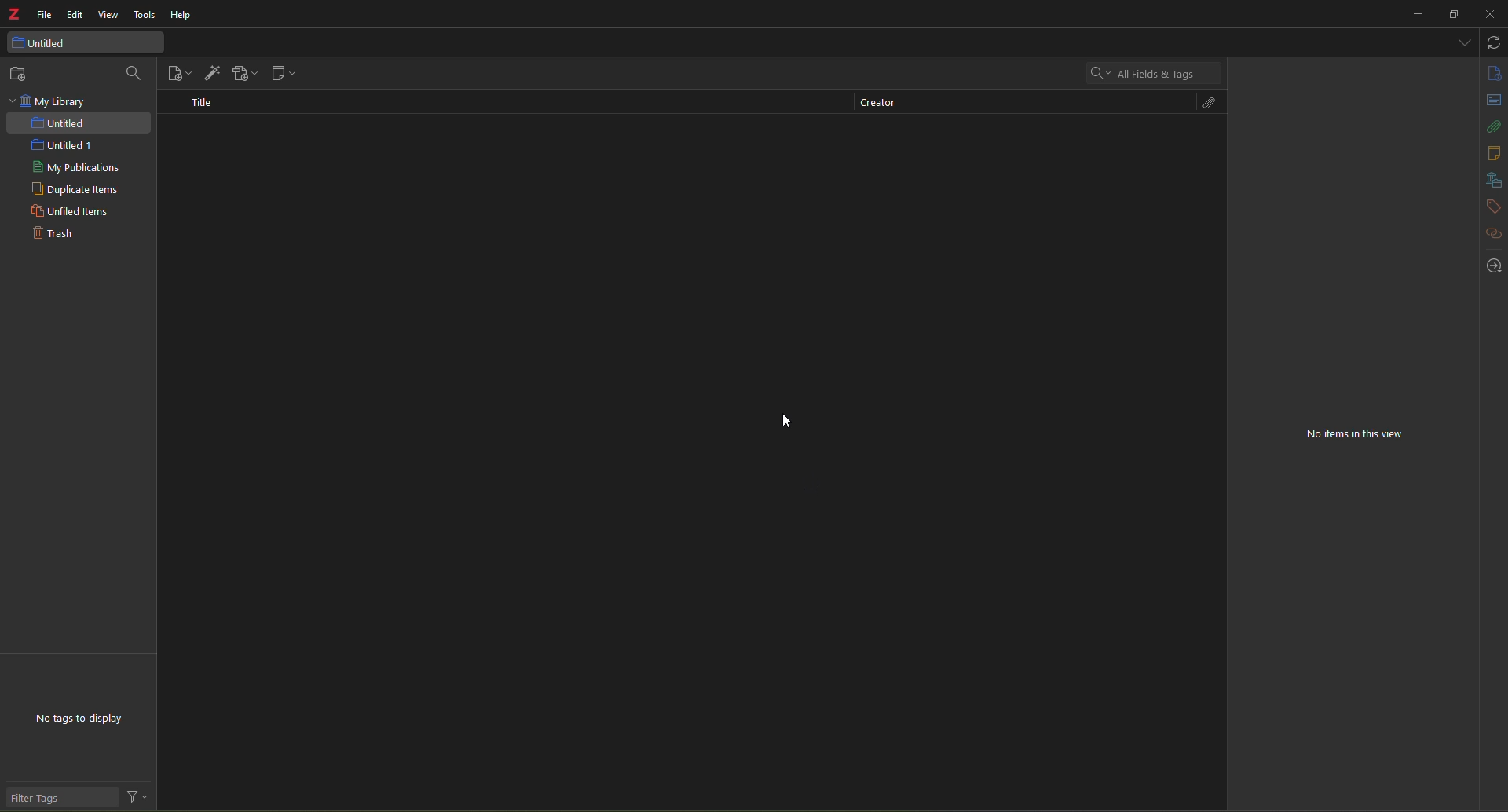  I want to click on tabs, so click(1462, 41).